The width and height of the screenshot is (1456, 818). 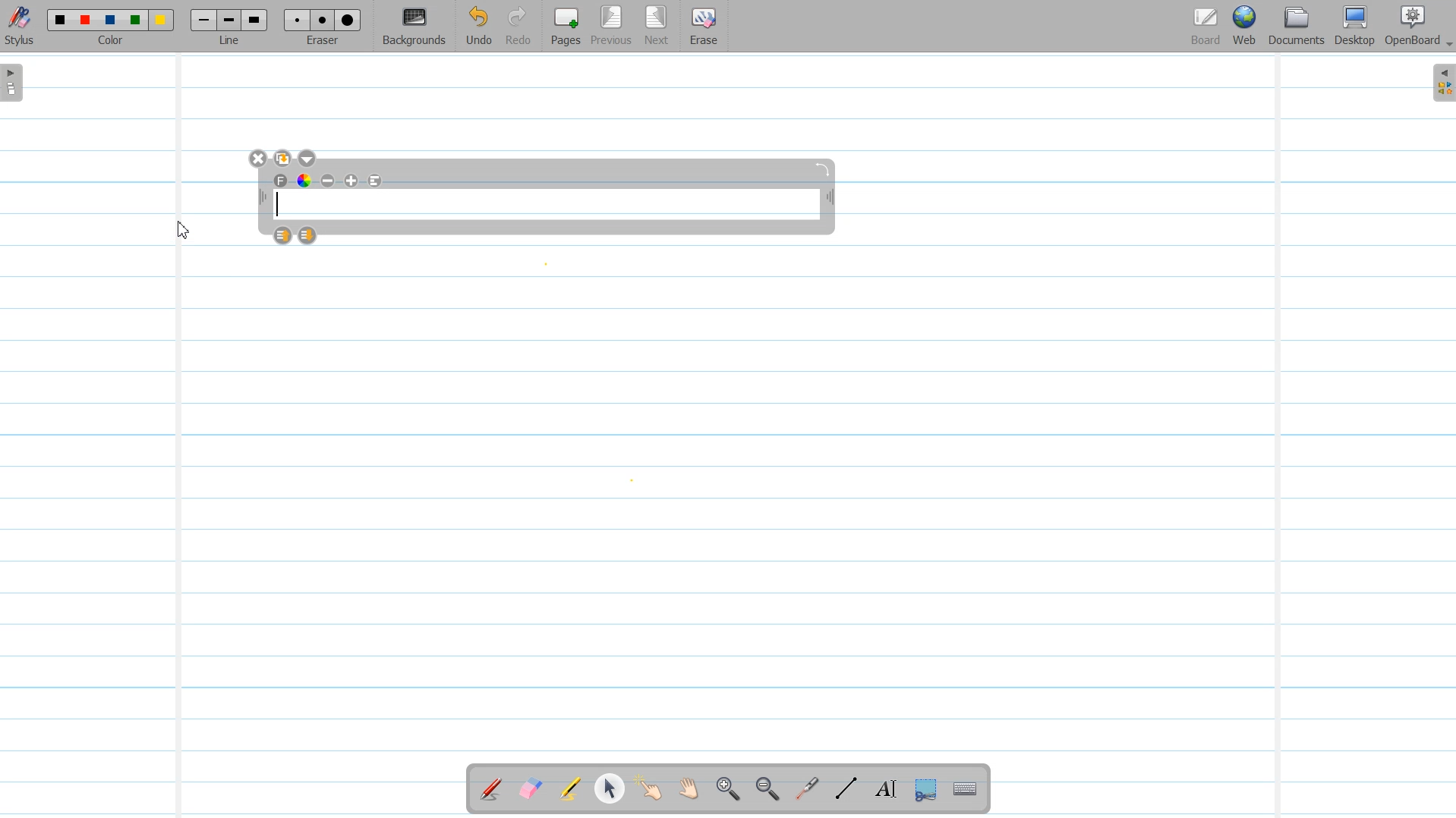 What do you see at coordinates (1354, 27) in the screenshot?
I see `Desktop` at bounding box center [1354, 27].